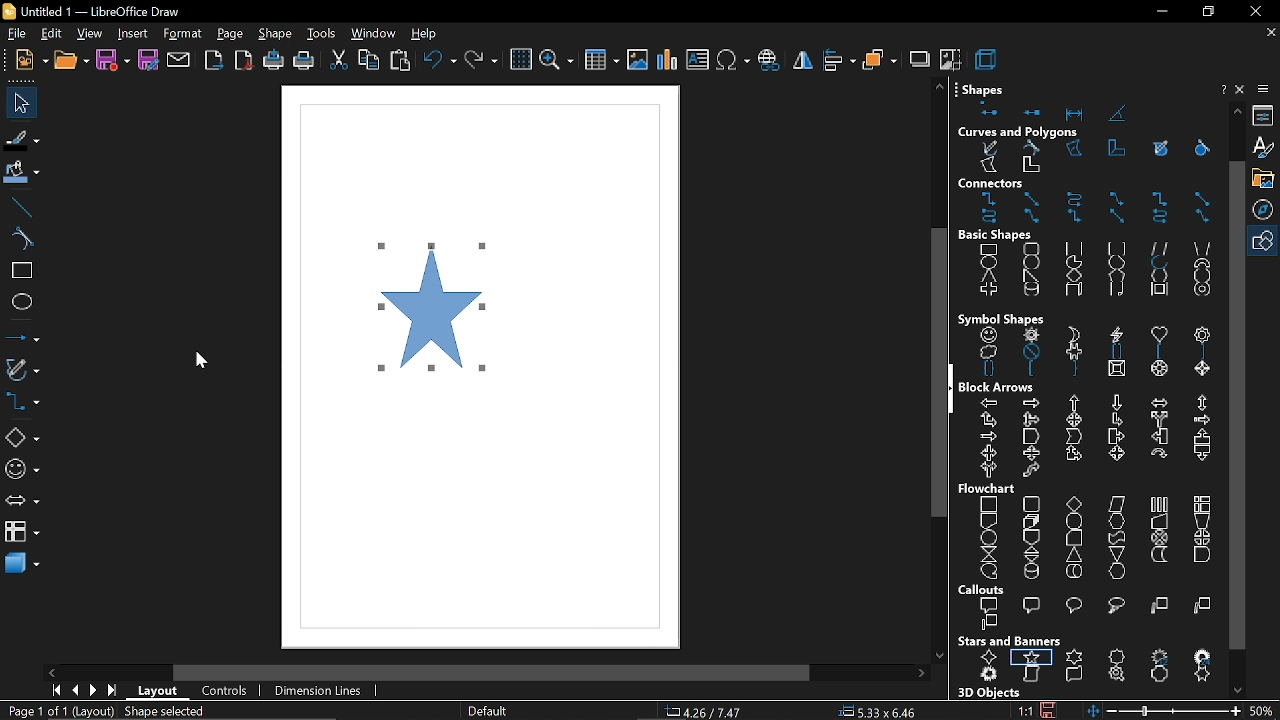  What do you see at coordinates (939, 372) in the screenshot?
I see `vertical scroll bar` at bounding box center [939, 372].